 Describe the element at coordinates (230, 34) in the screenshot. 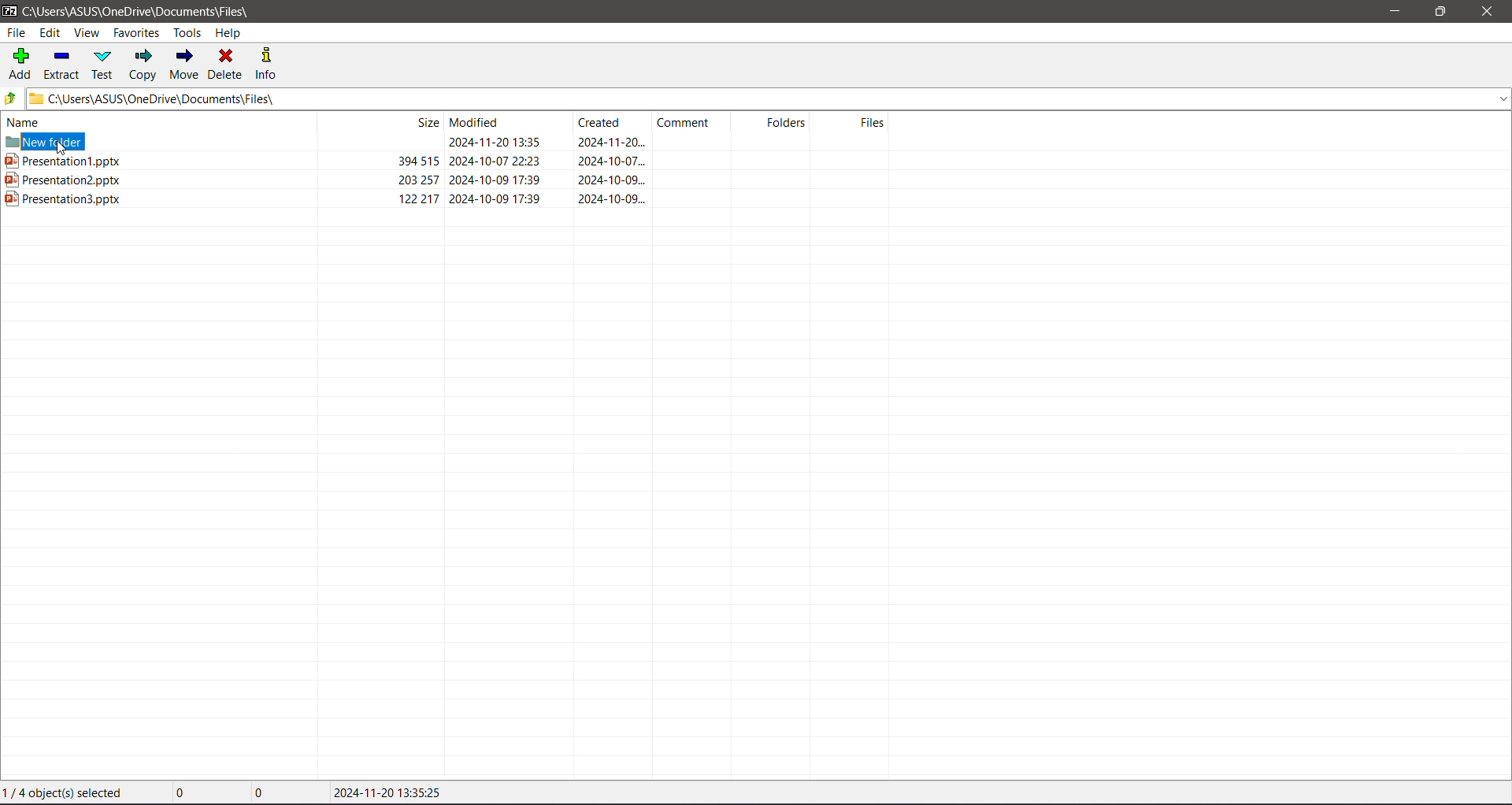

I see `Help` at that location.